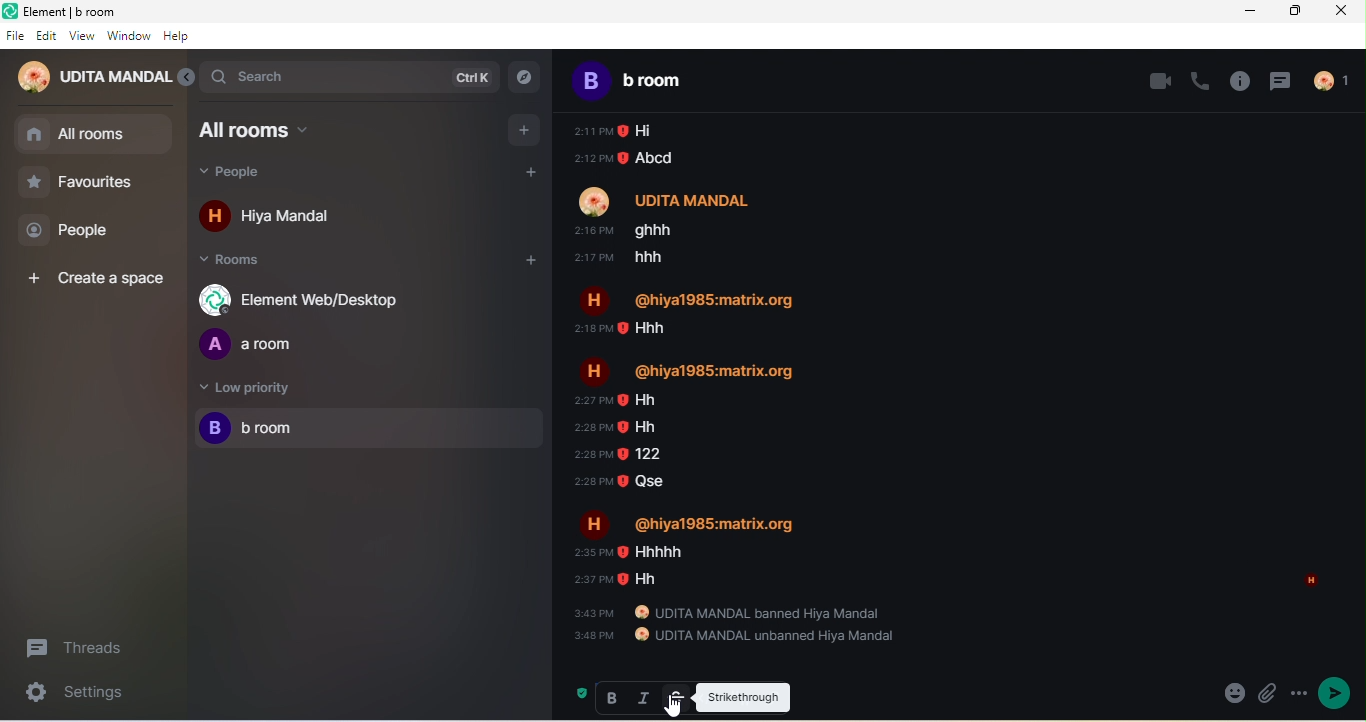  What do you see at coordinates (74, 136) in the screenshot?
I see `all rooms` at bounding box center [74, 136].